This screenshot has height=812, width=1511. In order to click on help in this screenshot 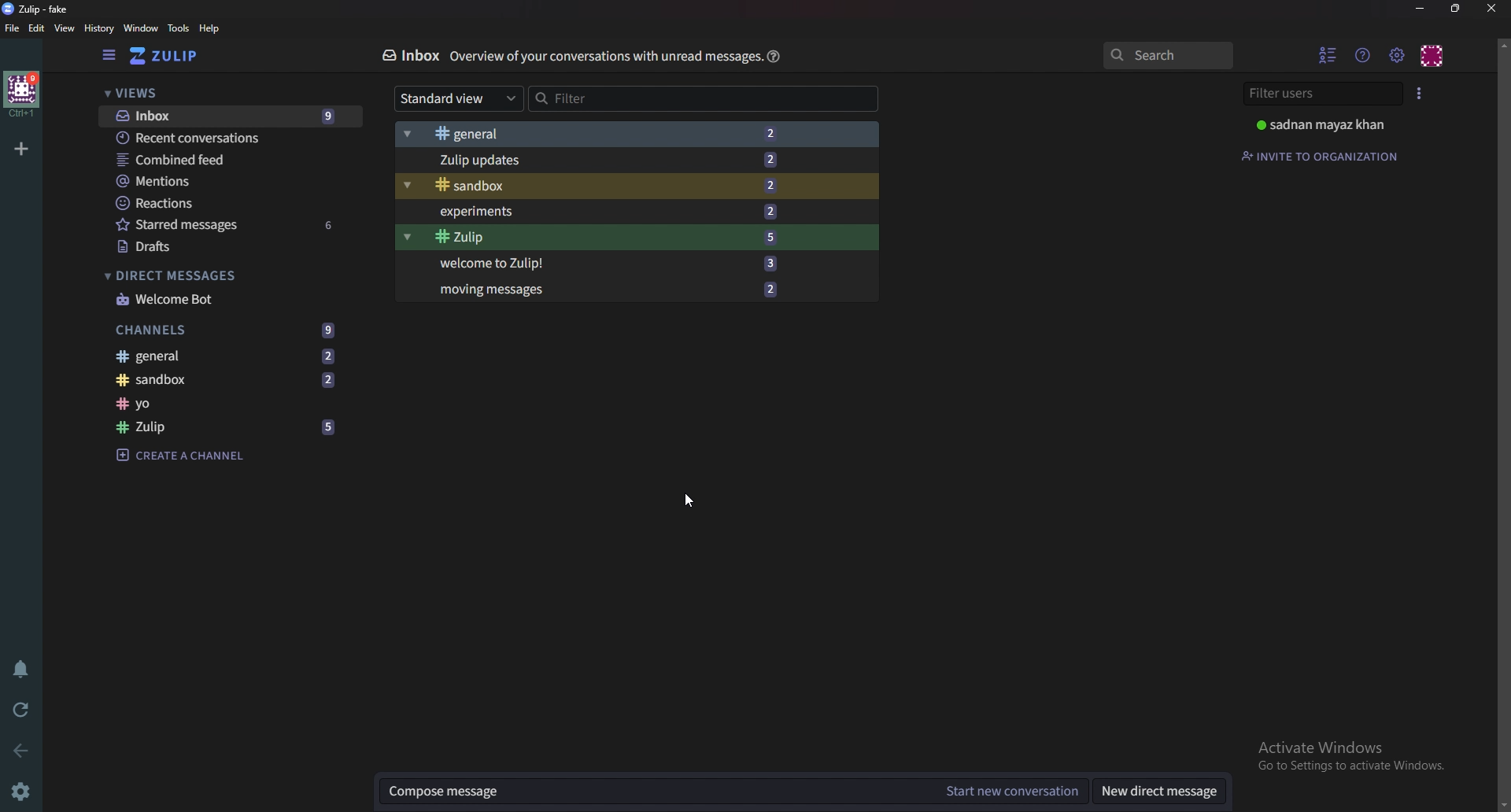, I will do `click(1363, 55)`.